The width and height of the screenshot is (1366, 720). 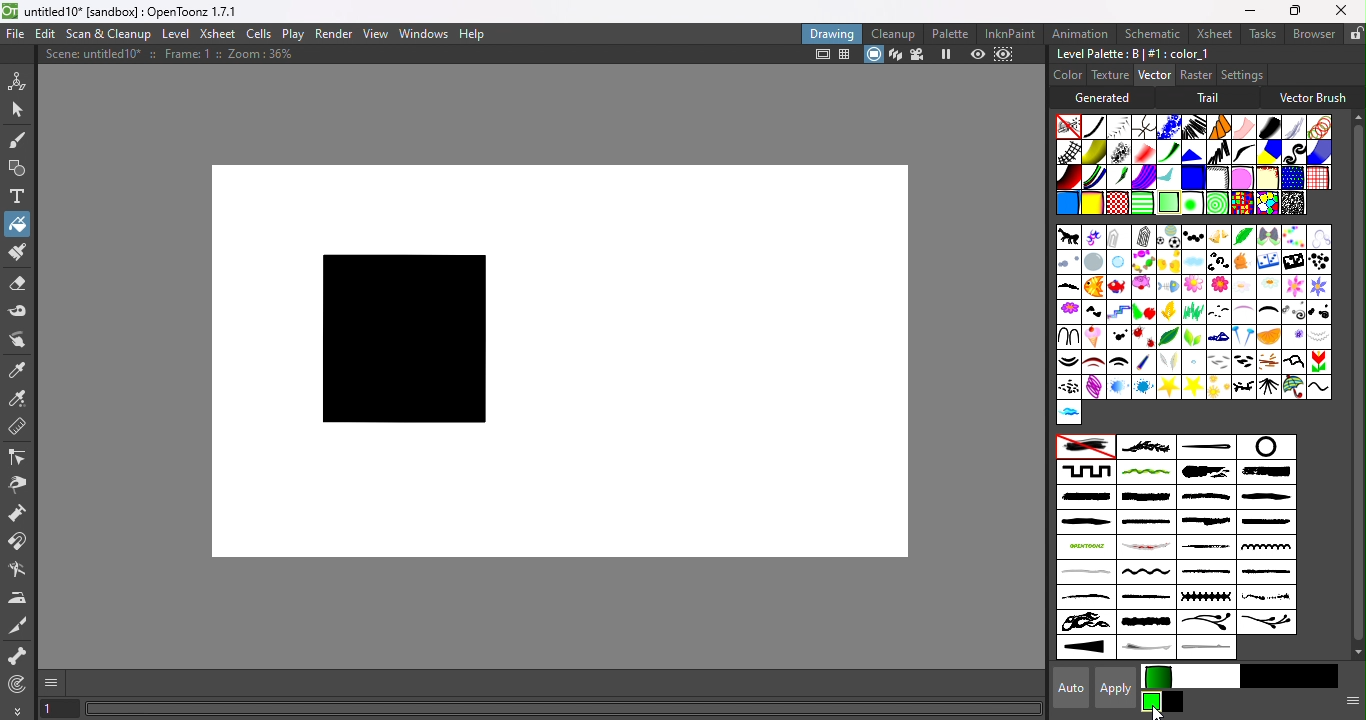 I want to click on greek_frieze, so click(x=1086, y=471).